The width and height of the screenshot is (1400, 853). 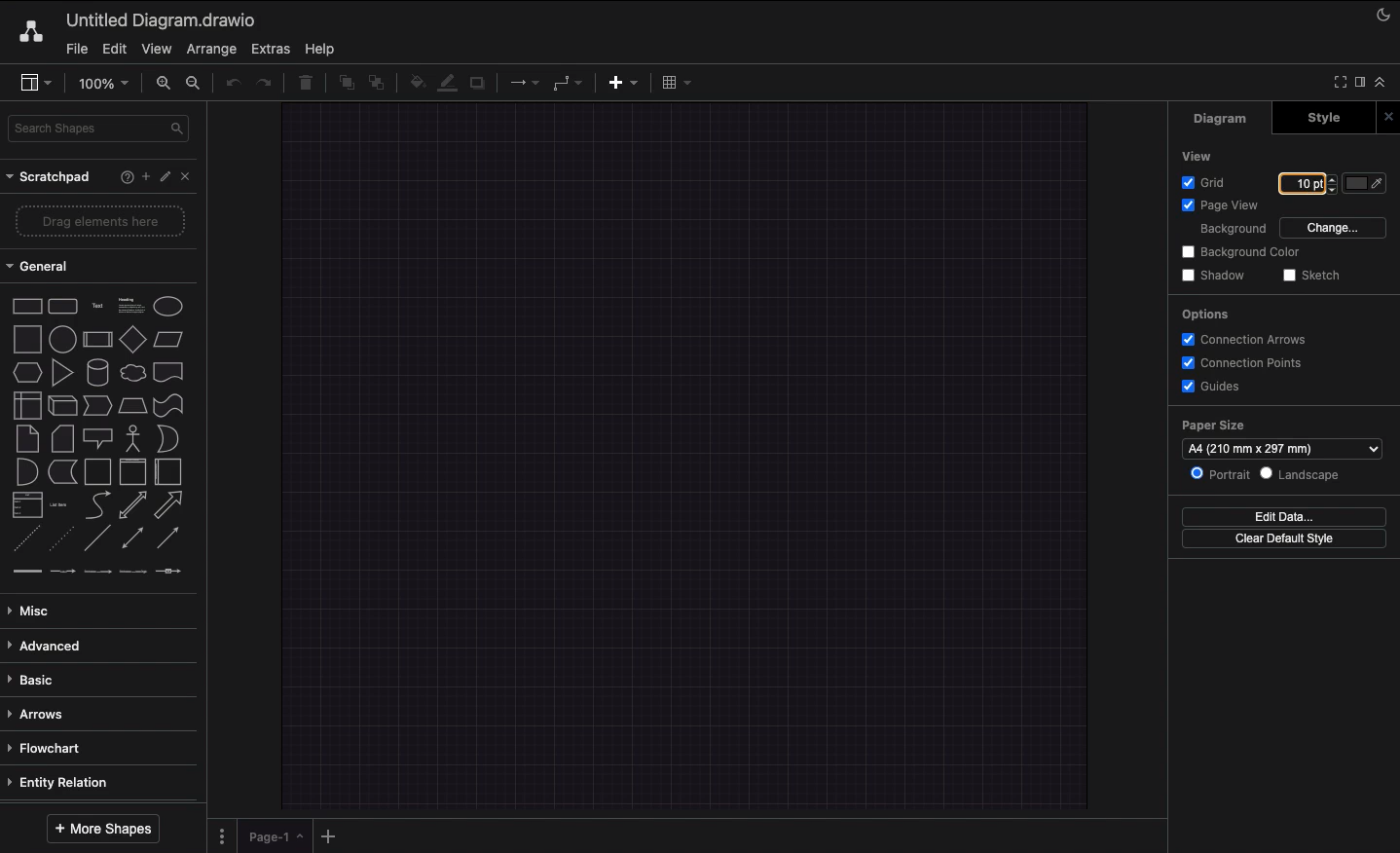 What do you see at coordinates (1246, 362) in the screenshot?
I see `Connection points` at bounding box center [1246, 362].